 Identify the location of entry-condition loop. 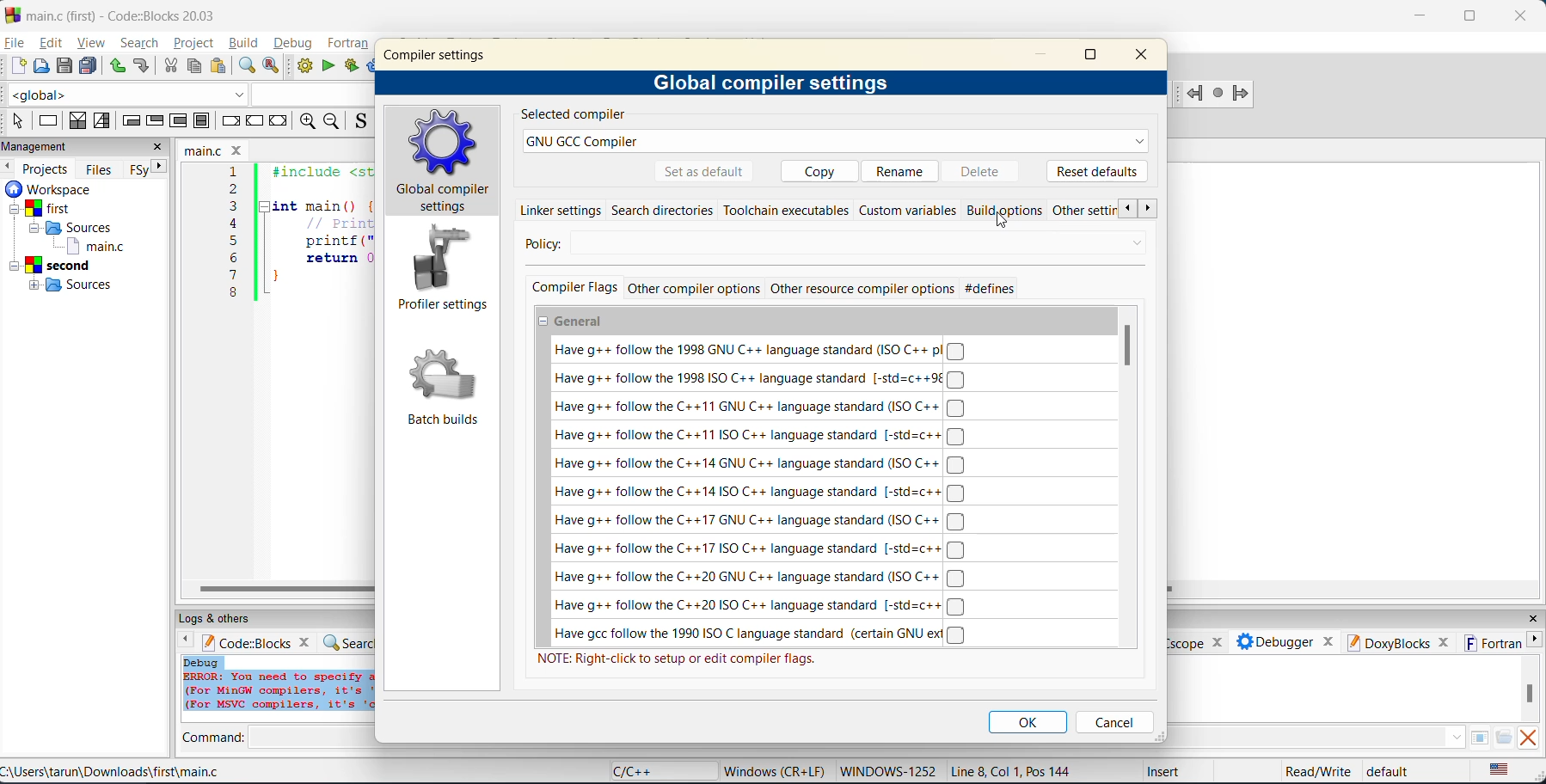
(132, 123).